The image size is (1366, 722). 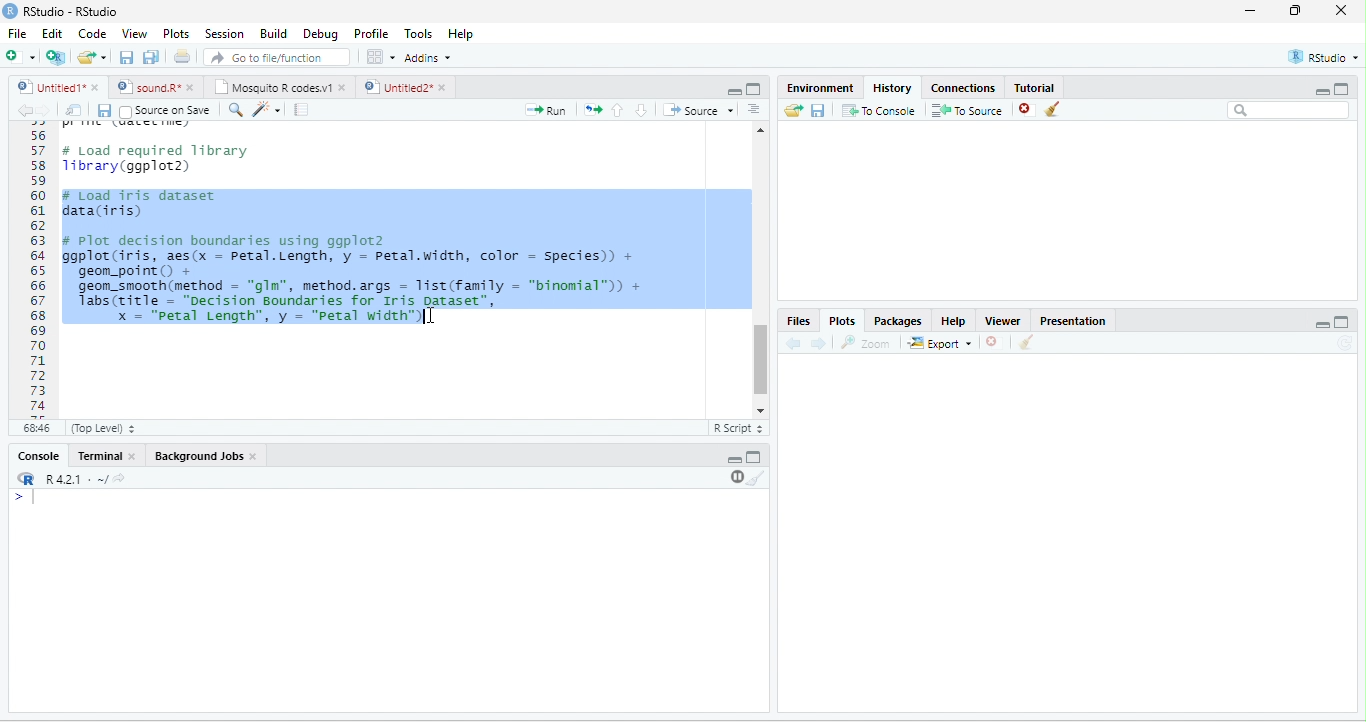 What do you see at coordinates (234, 110) in the screenshot?
I see `search` at bounding box center [234, 110].